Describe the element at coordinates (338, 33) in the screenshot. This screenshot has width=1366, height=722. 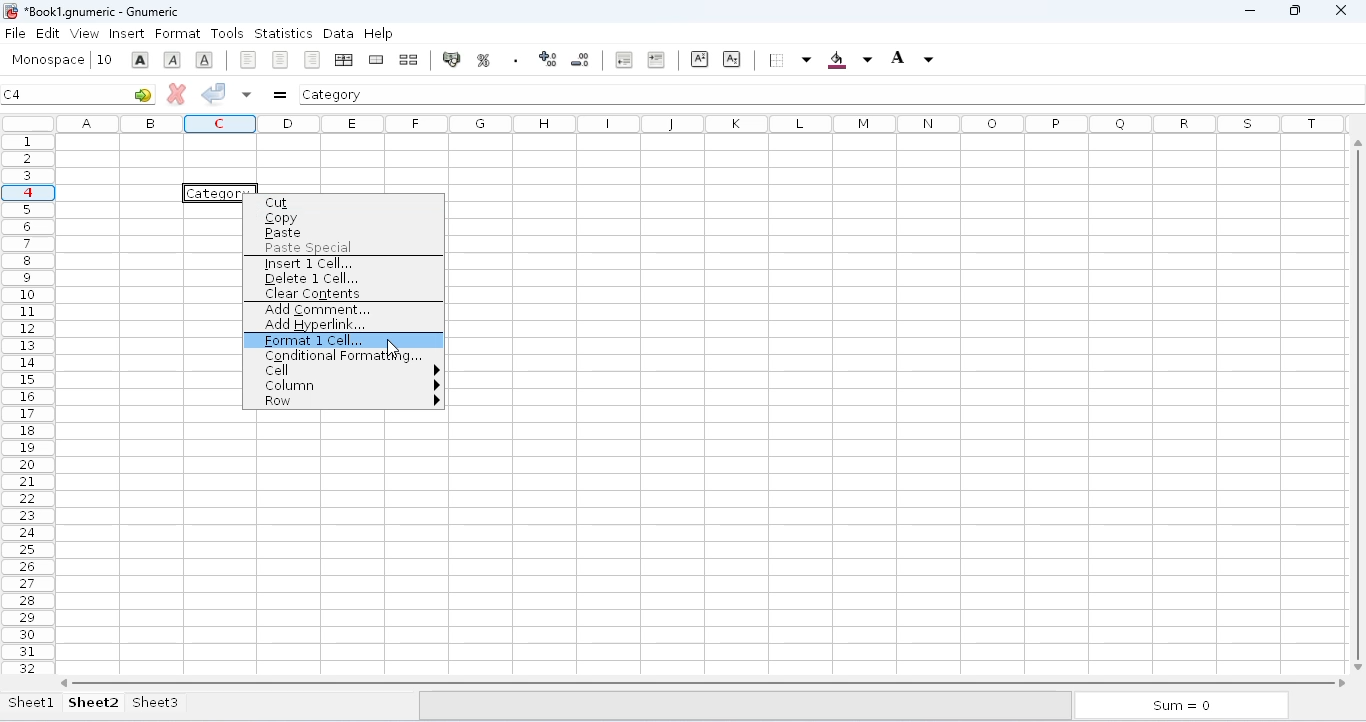
I see `data` at that location.